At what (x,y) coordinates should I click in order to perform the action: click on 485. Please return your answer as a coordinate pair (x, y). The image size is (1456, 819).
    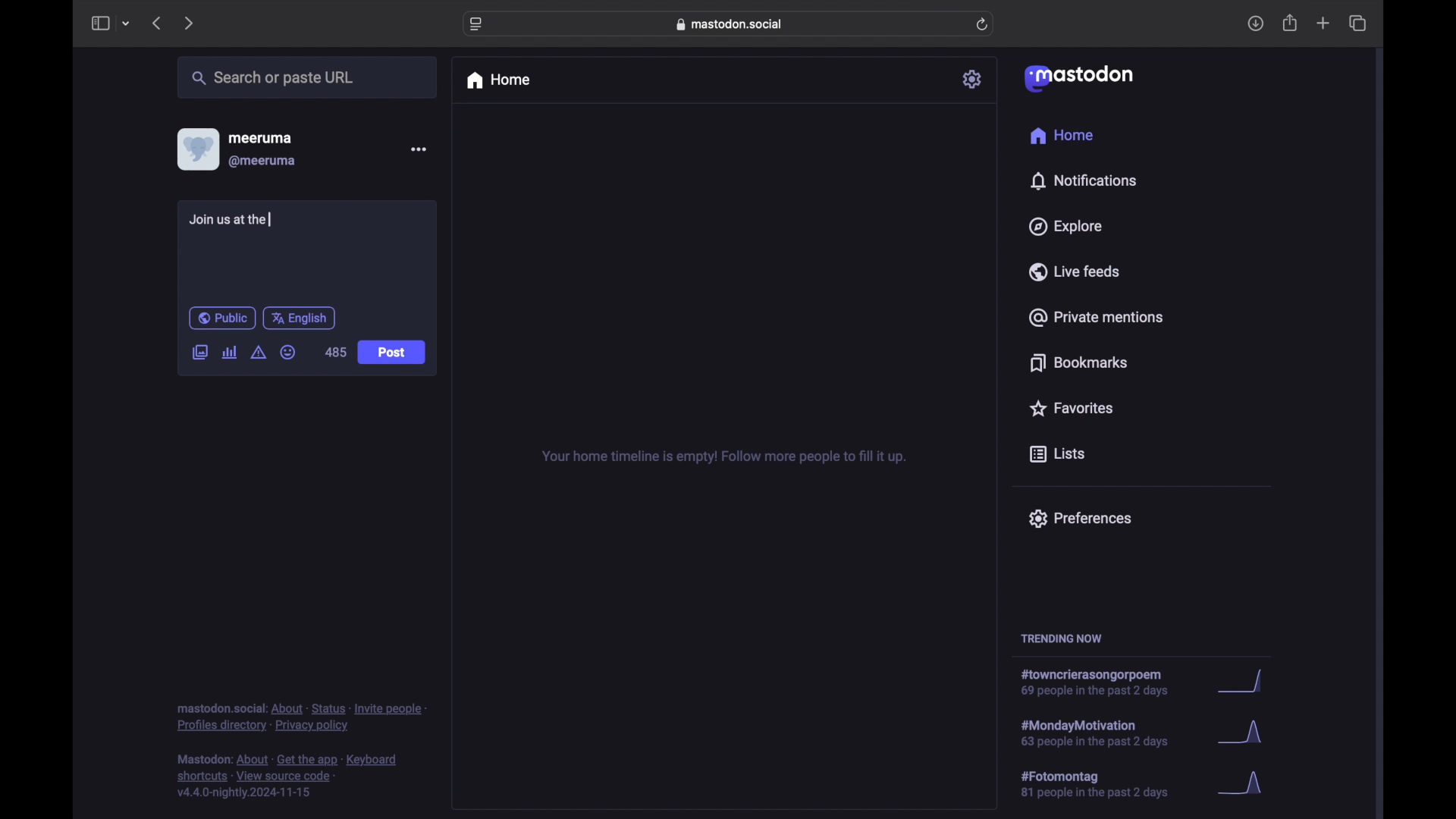
    Looking at the image, I should click on (334, 351).